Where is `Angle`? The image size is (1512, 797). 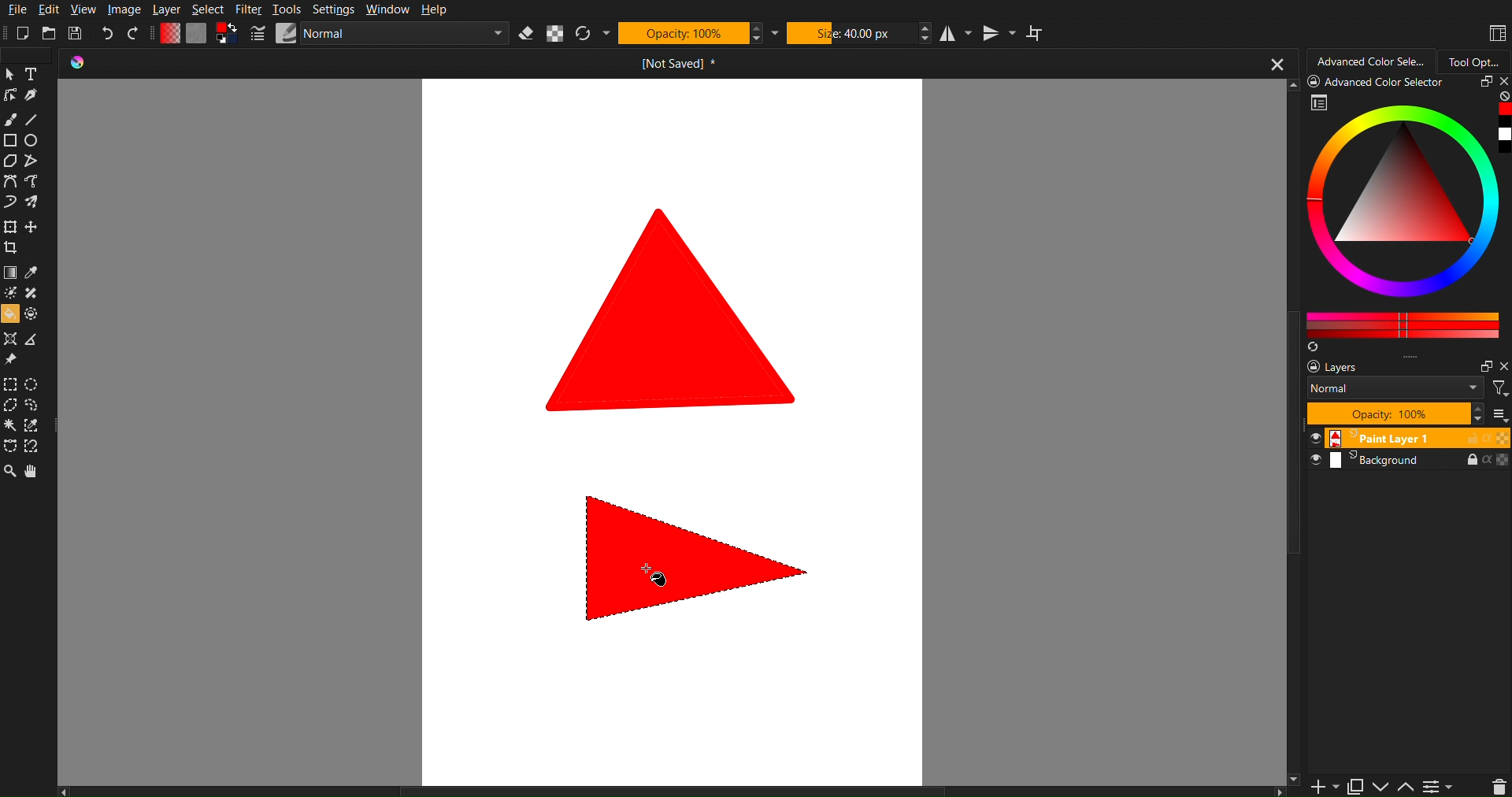 Angle is located at coordinates (34, 445).